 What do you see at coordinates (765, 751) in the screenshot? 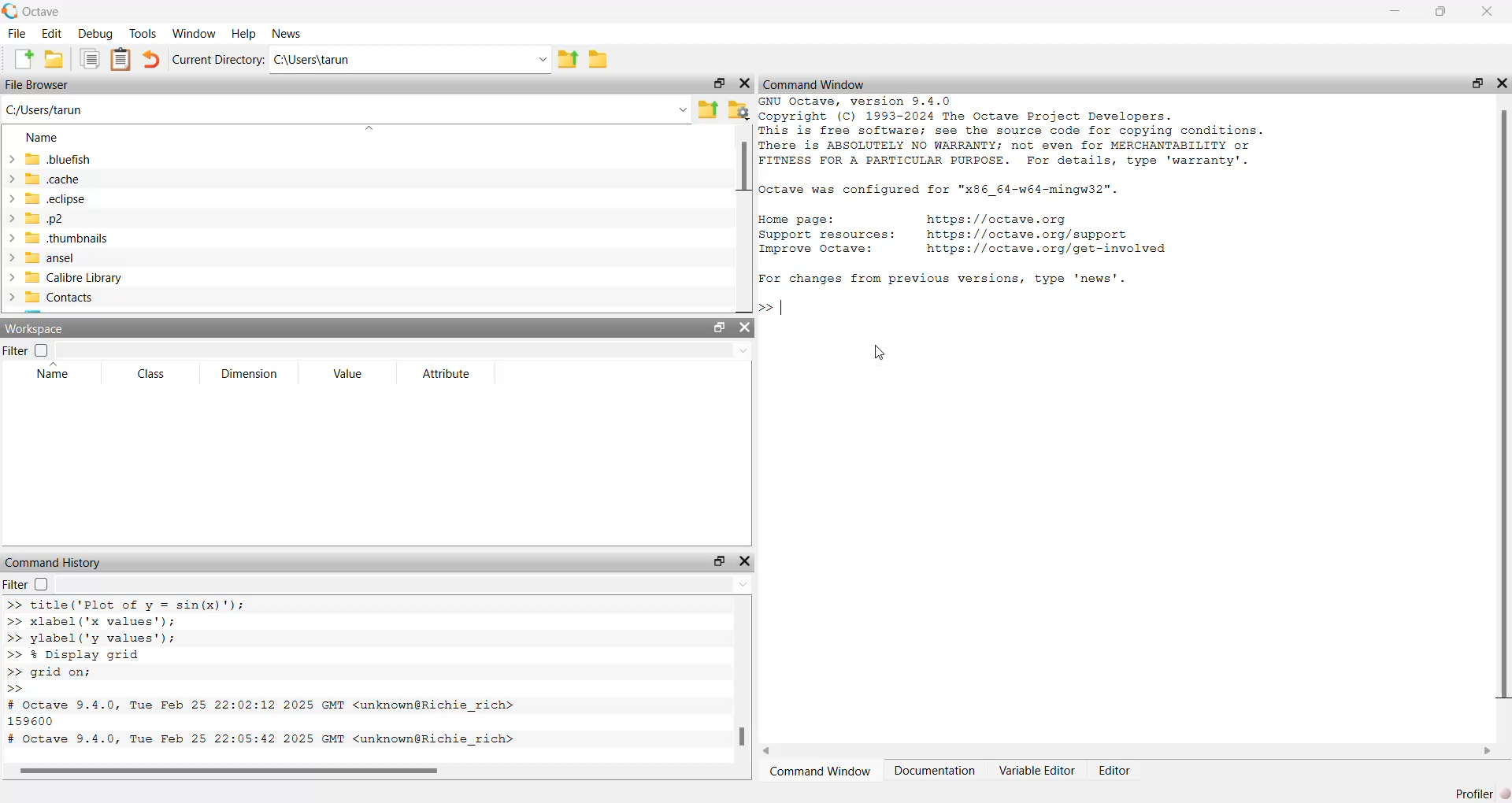
I see `scroll left` at bounding box center [765, 751].